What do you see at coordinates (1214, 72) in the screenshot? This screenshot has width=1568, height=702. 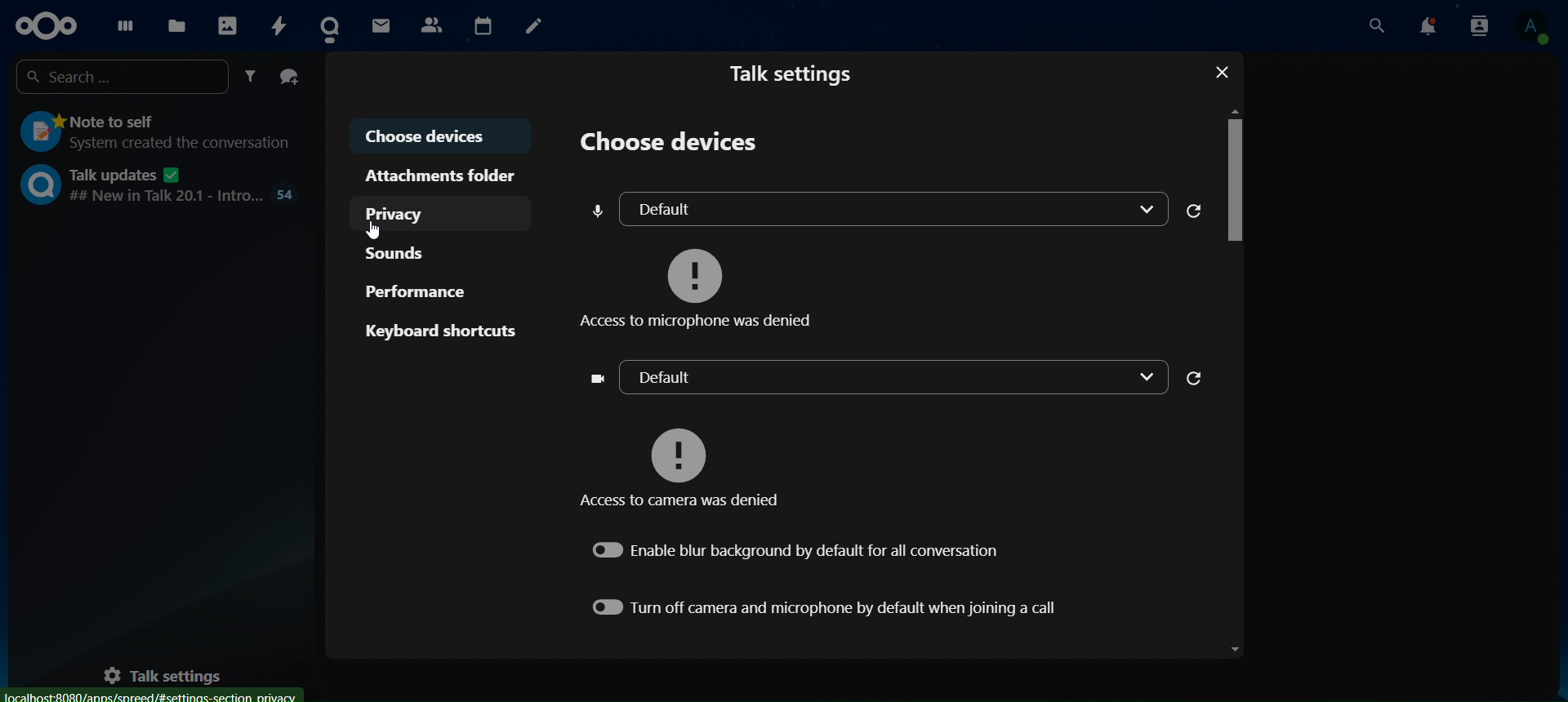 I see `Close` at bounding box center [1214, 72].